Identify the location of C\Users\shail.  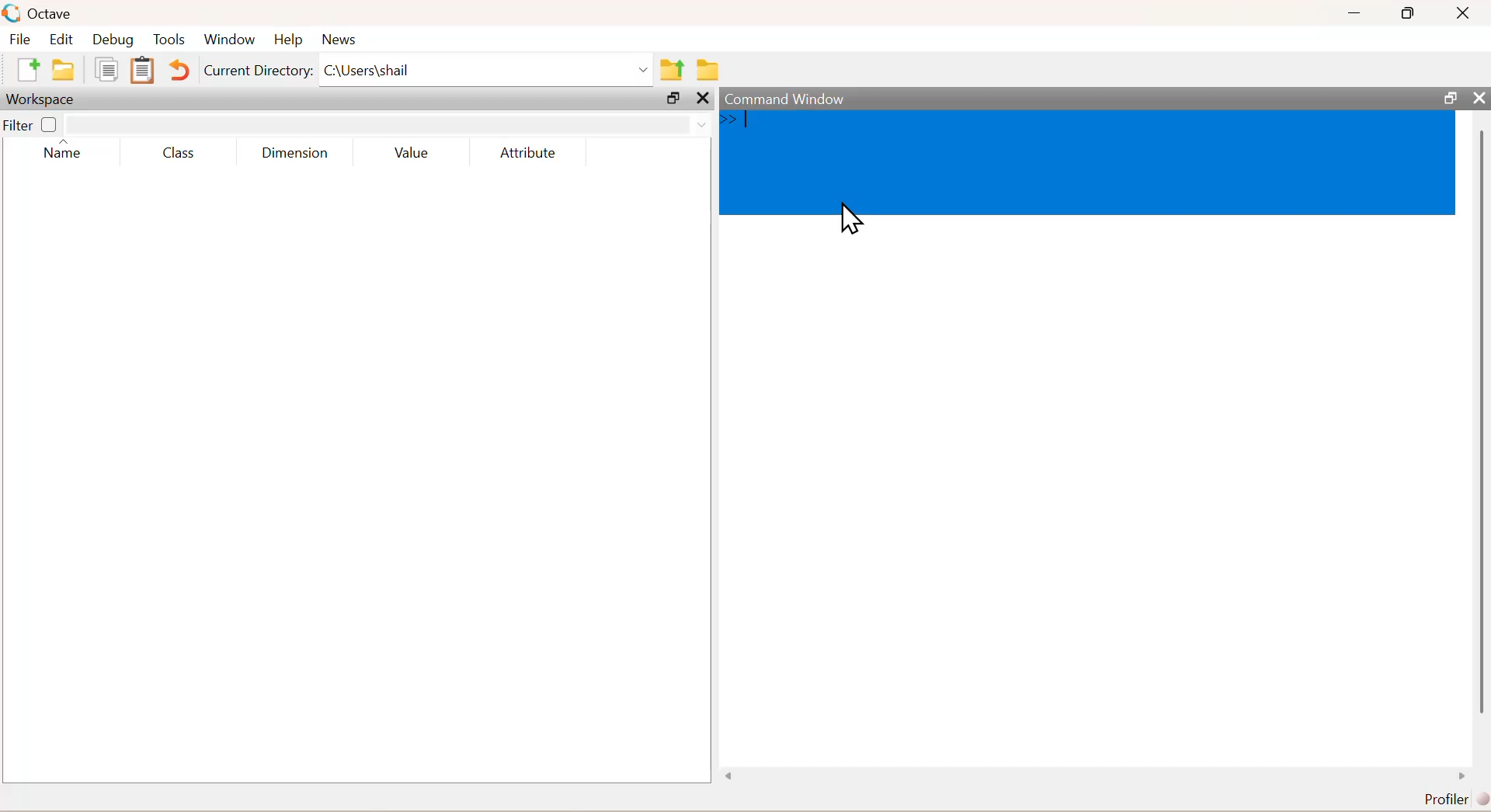
(367, 70).